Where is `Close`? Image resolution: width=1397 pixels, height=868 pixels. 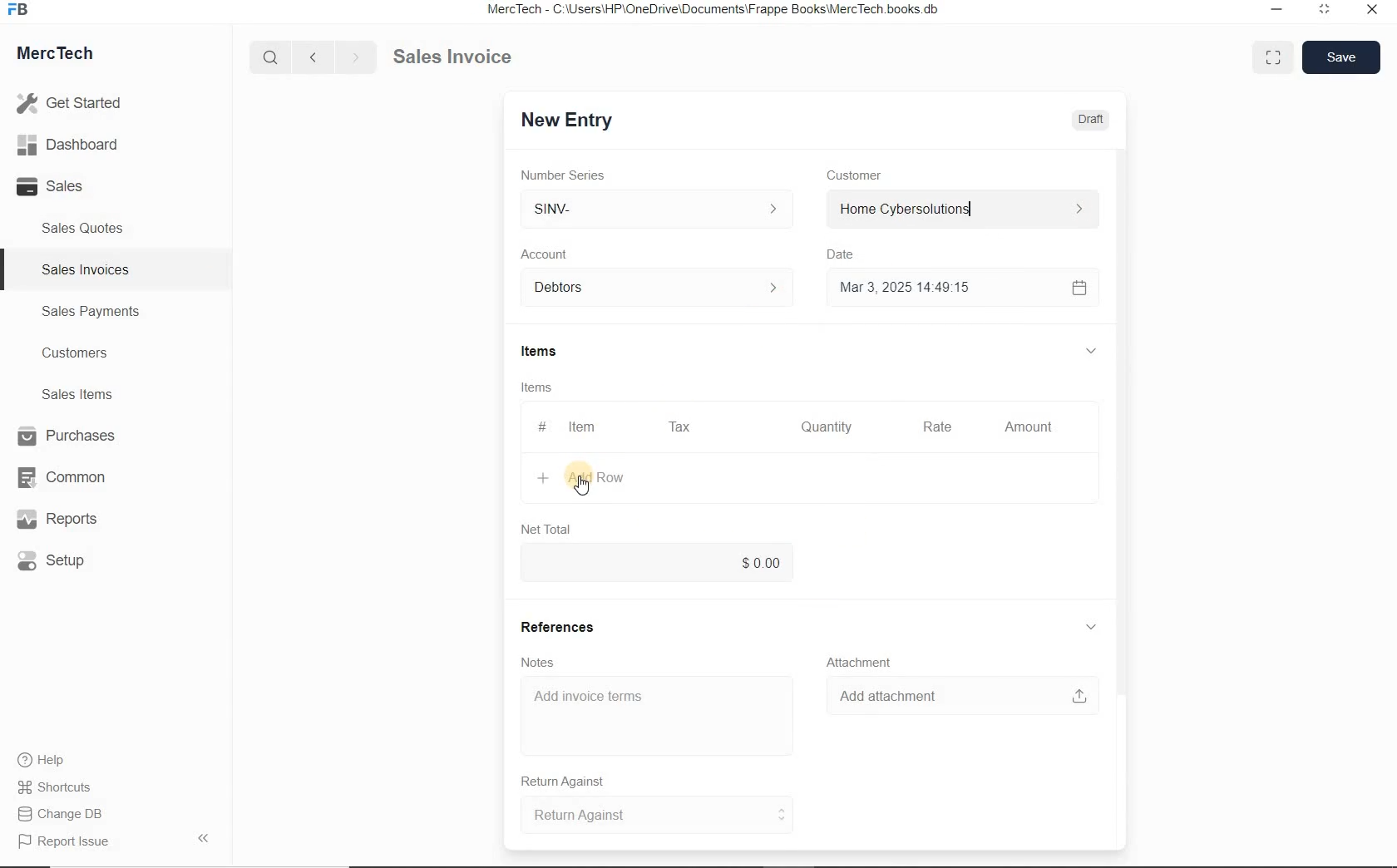
Close is located at coordinates (1370, 12).